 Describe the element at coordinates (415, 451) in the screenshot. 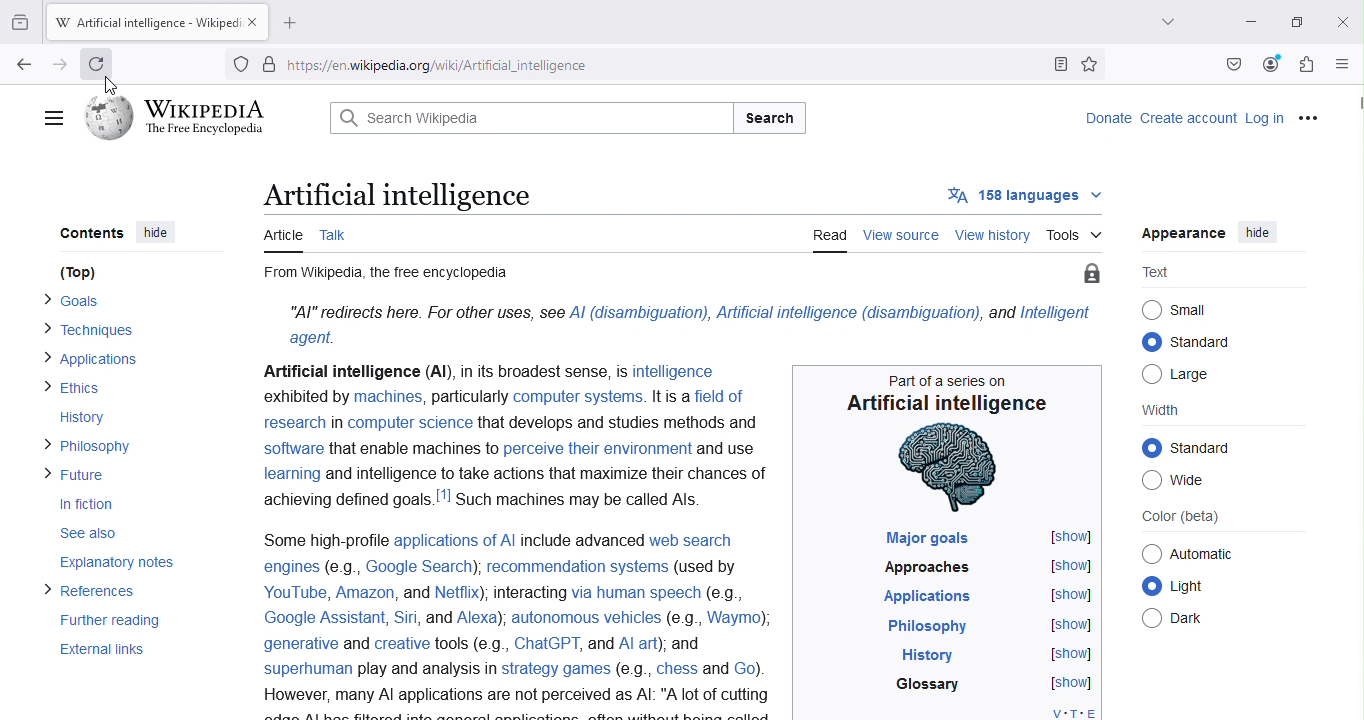

I see `that enable machines to` at that location.